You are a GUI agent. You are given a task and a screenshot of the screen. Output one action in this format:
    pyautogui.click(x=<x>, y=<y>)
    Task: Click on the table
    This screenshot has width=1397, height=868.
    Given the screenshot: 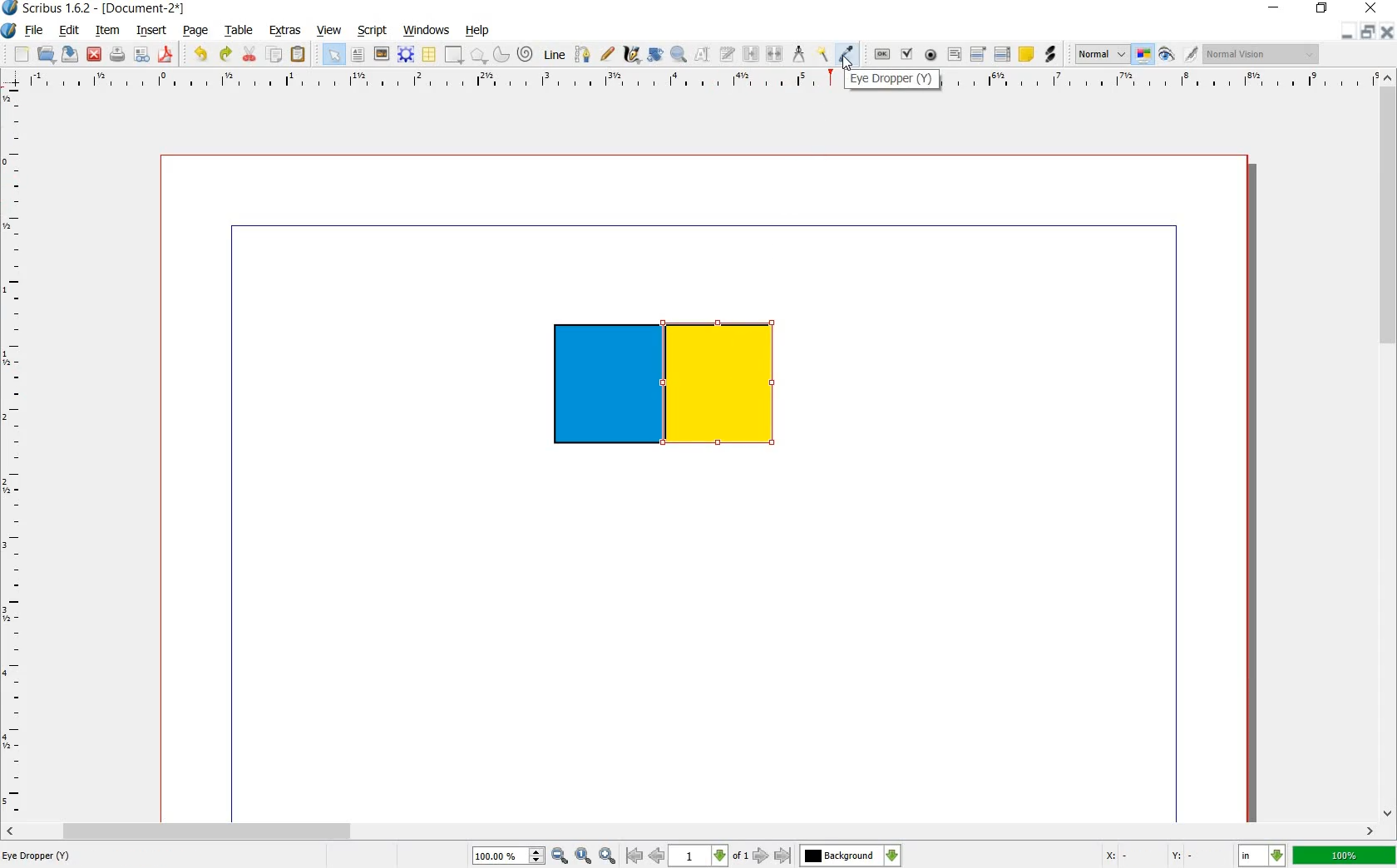 What is the action you would take?
    pyautogui.click(x=242, y=30)
    